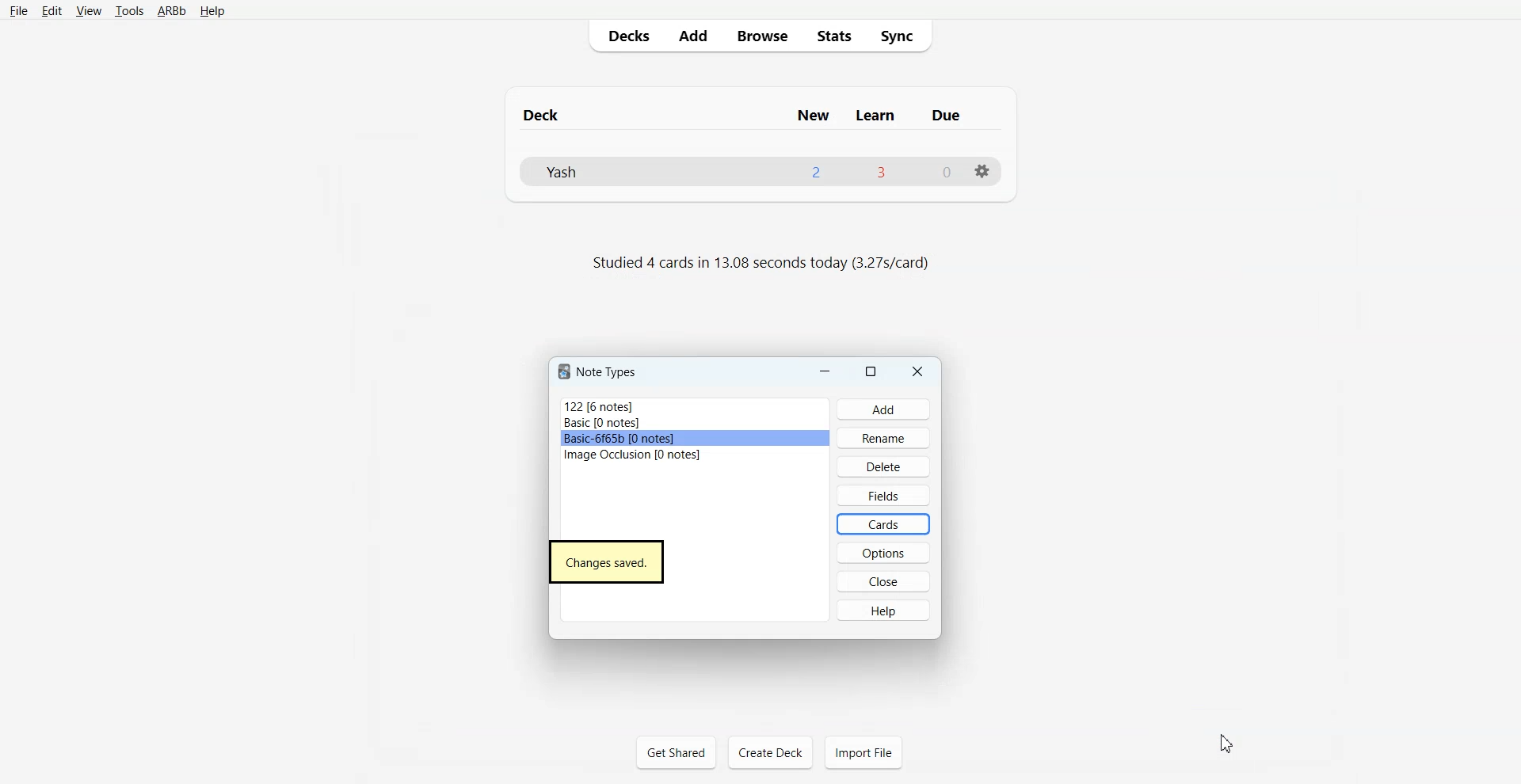 This screenshot has height=784, width=1521. I want to click on minimize, so click(825, 371).